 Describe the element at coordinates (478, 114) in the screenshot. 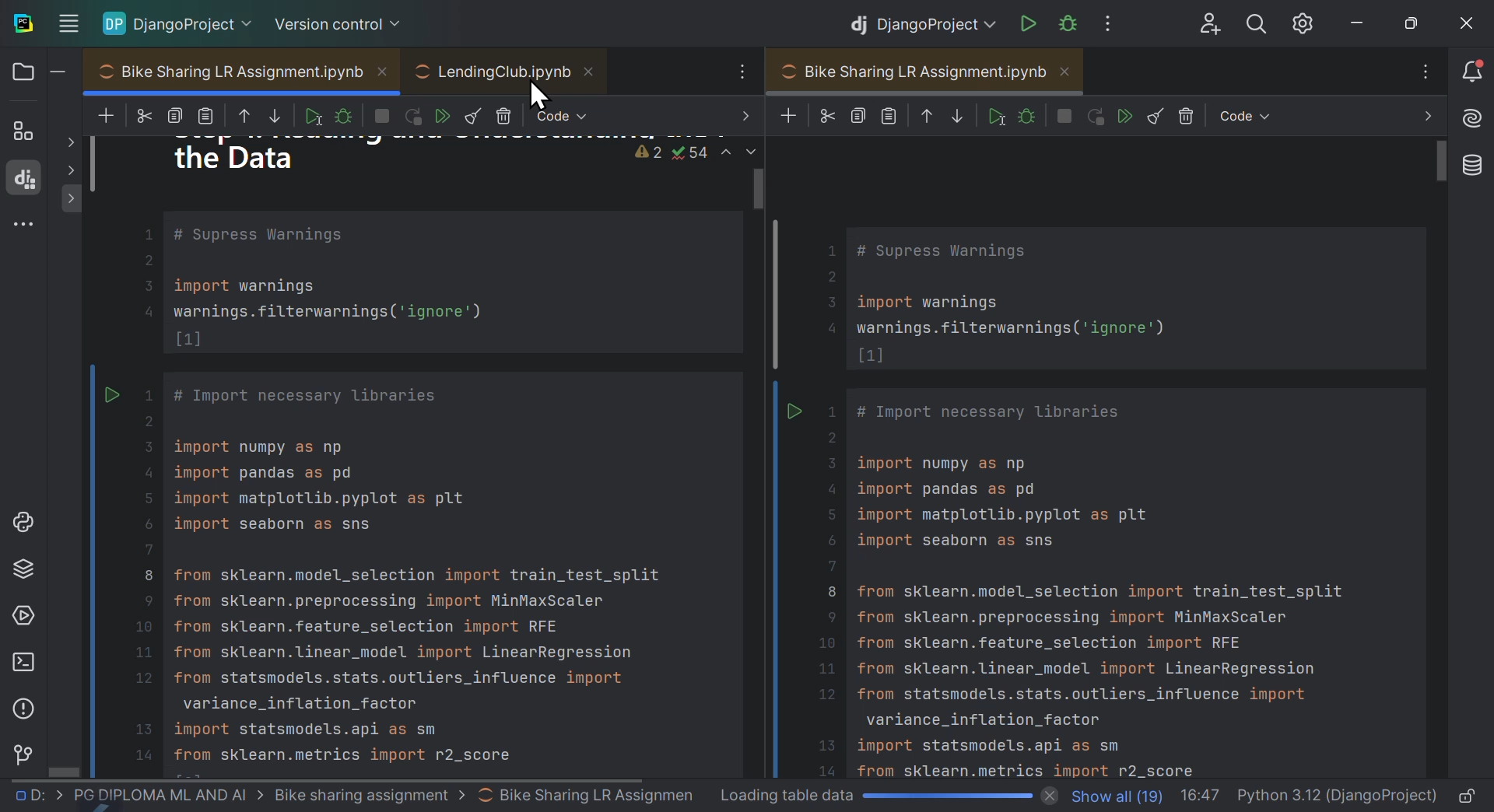

I see `Clear all outputs` at that location.